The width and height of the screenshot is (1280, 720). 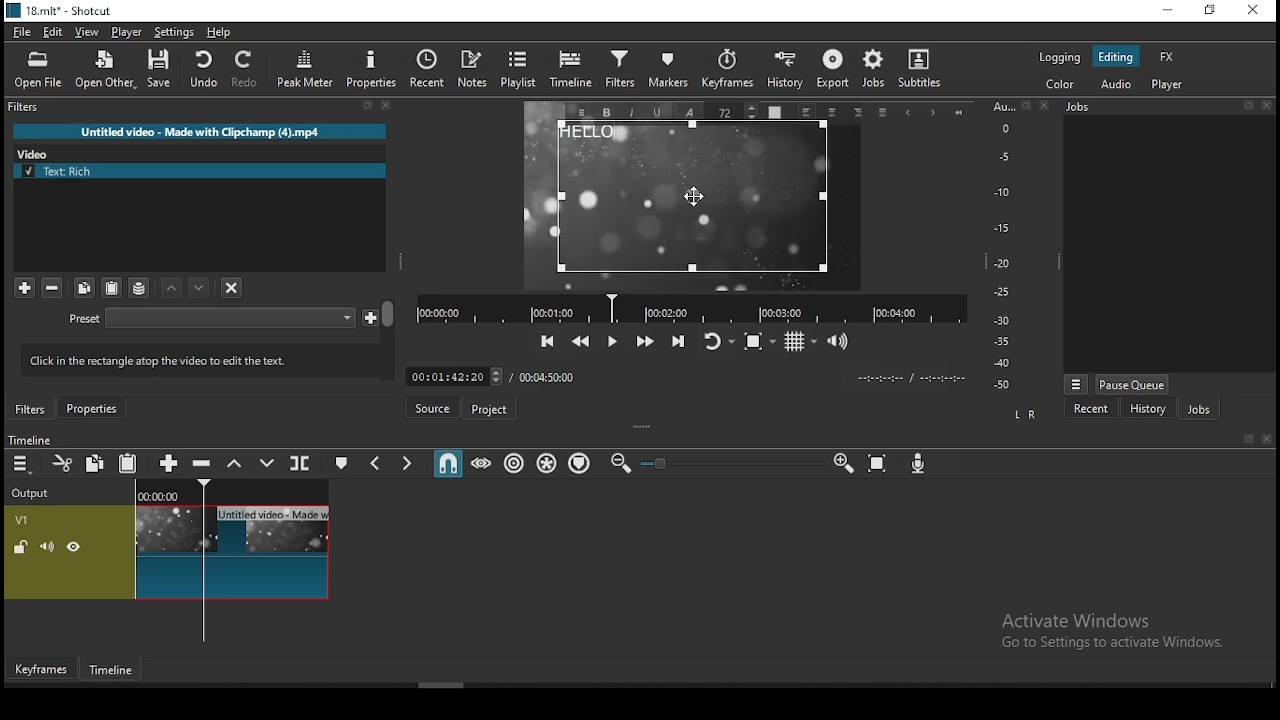 What do you see at coordinates (431, 407) in the screenshot?
I see `source` at bounding box center [431, 407].